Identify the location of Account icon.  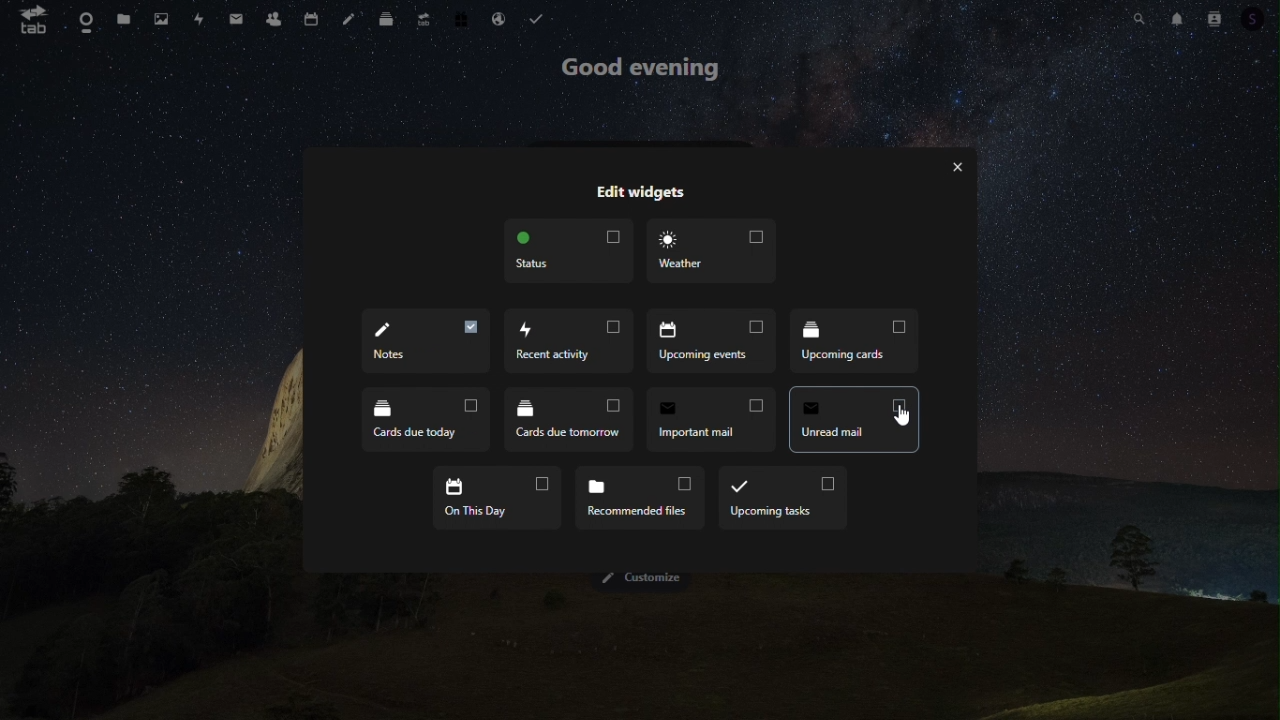
(1259, 19).